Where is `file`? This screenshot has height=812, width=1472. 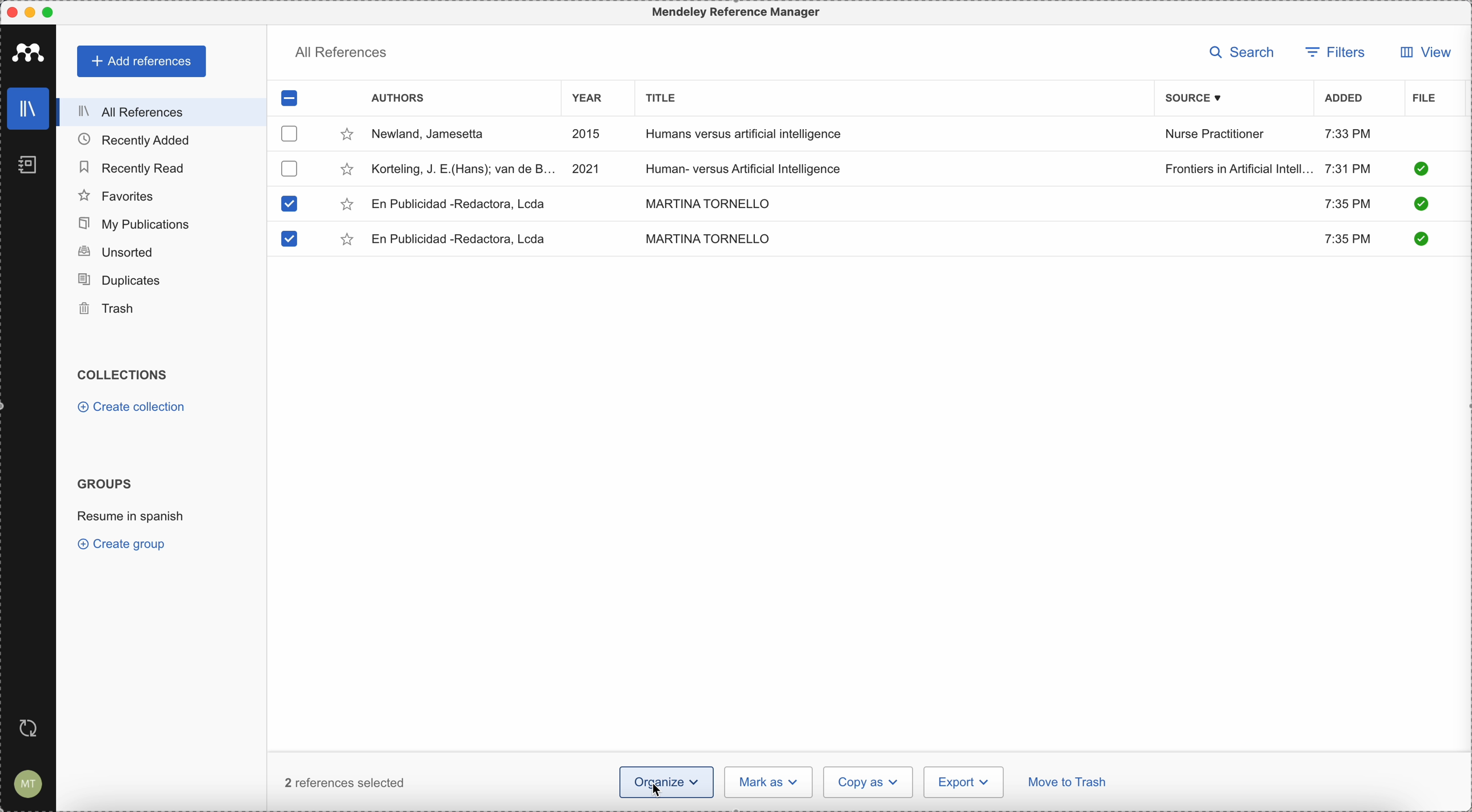 file is located at coordinates (1424, 99).